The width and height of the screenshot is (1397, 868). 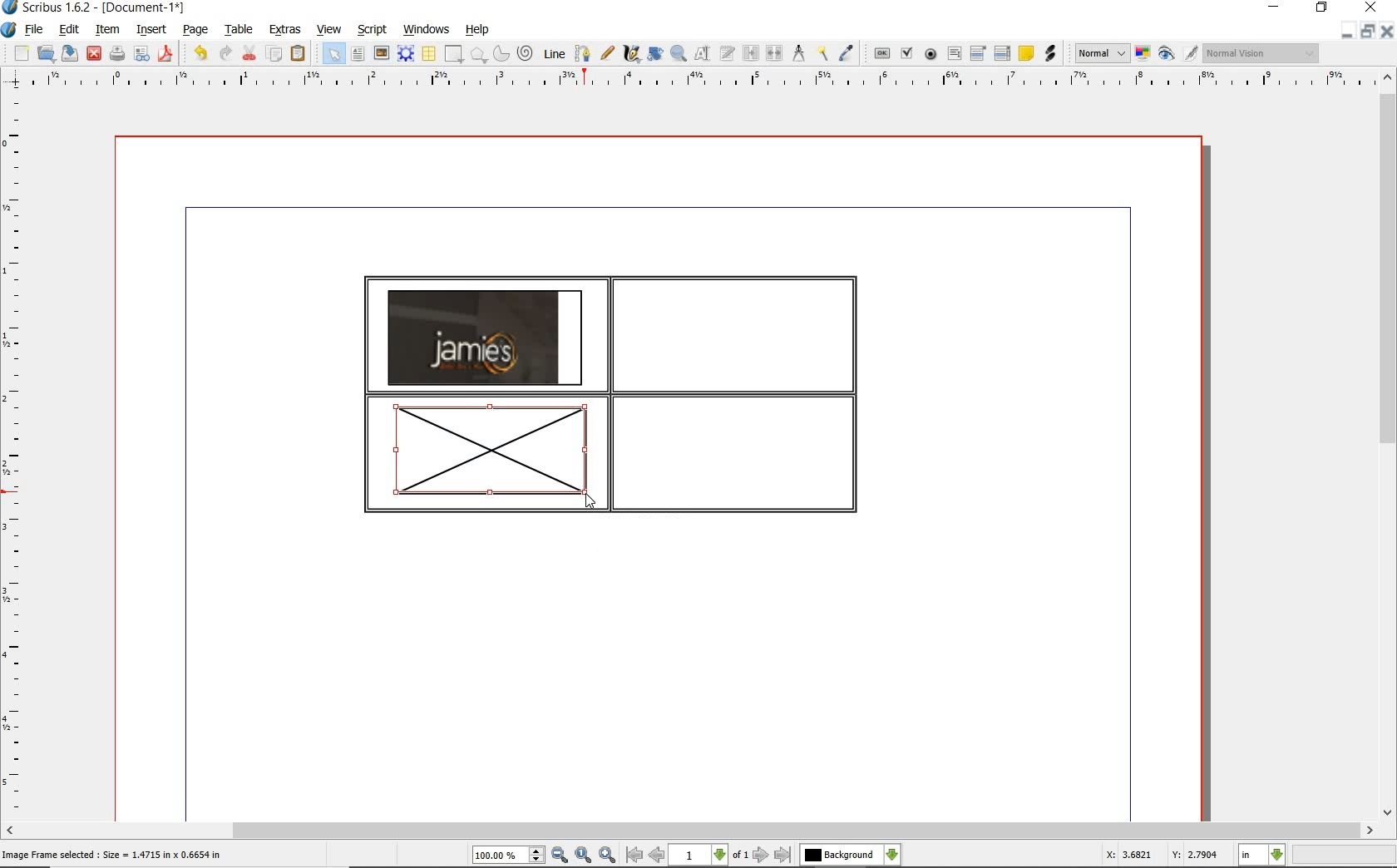 What do you see at coordinates (799, 53) in the screenshot?
I see `measurements` at bounding box center [799, 53].